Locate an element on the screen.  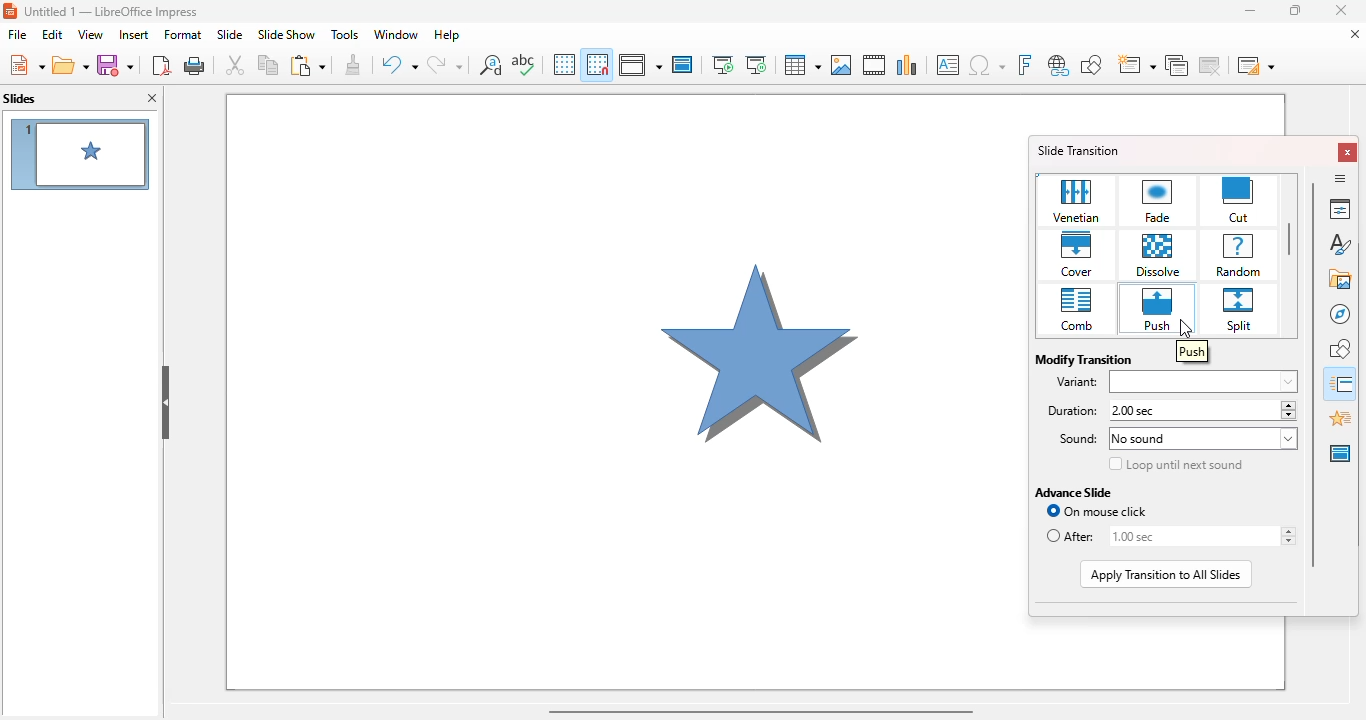
on mouse click is located at coordinates (1097, 511).